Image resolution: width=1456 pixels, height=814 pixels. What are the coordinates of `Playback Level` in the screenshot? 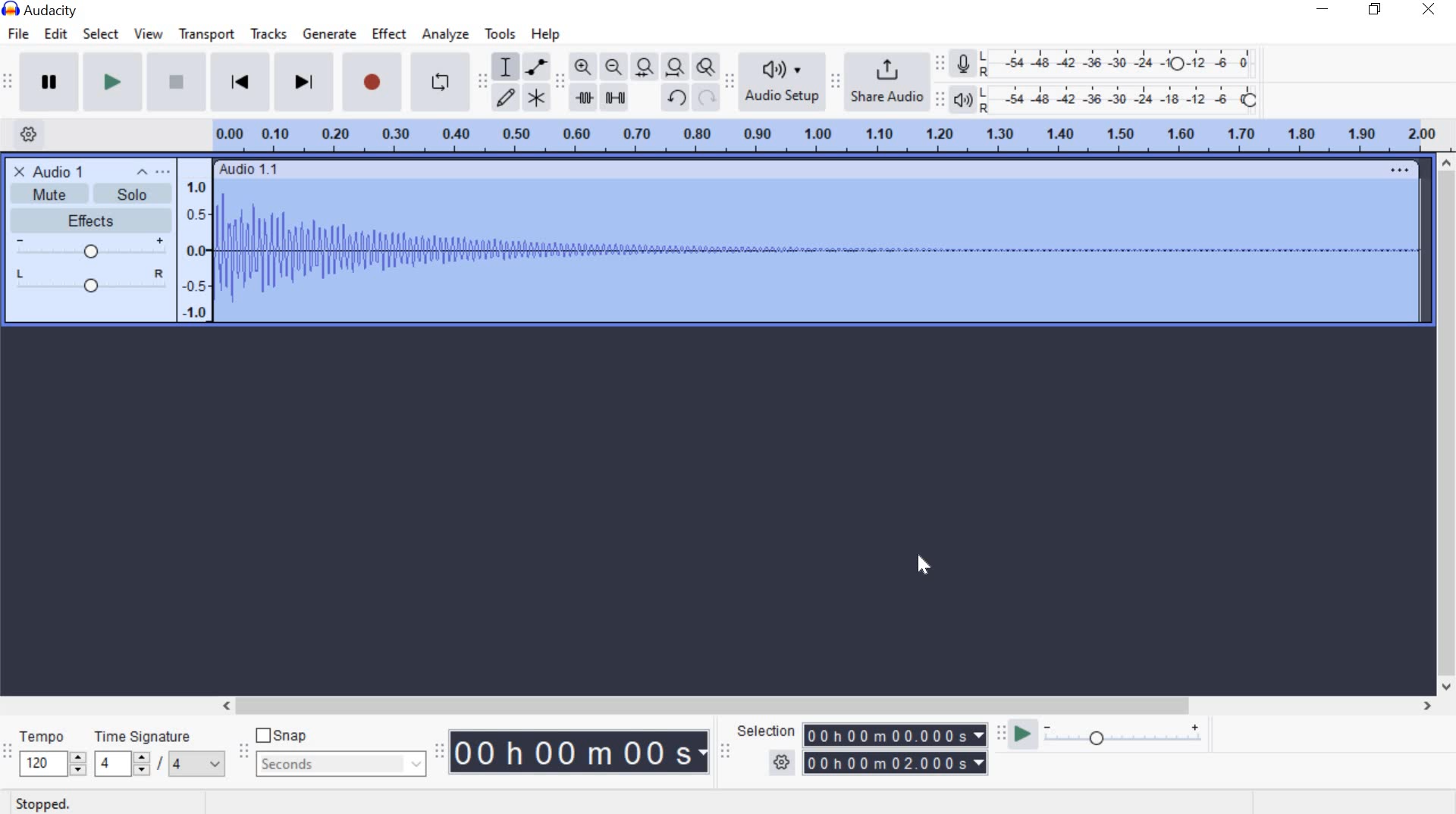 It's located at (1105, 99).